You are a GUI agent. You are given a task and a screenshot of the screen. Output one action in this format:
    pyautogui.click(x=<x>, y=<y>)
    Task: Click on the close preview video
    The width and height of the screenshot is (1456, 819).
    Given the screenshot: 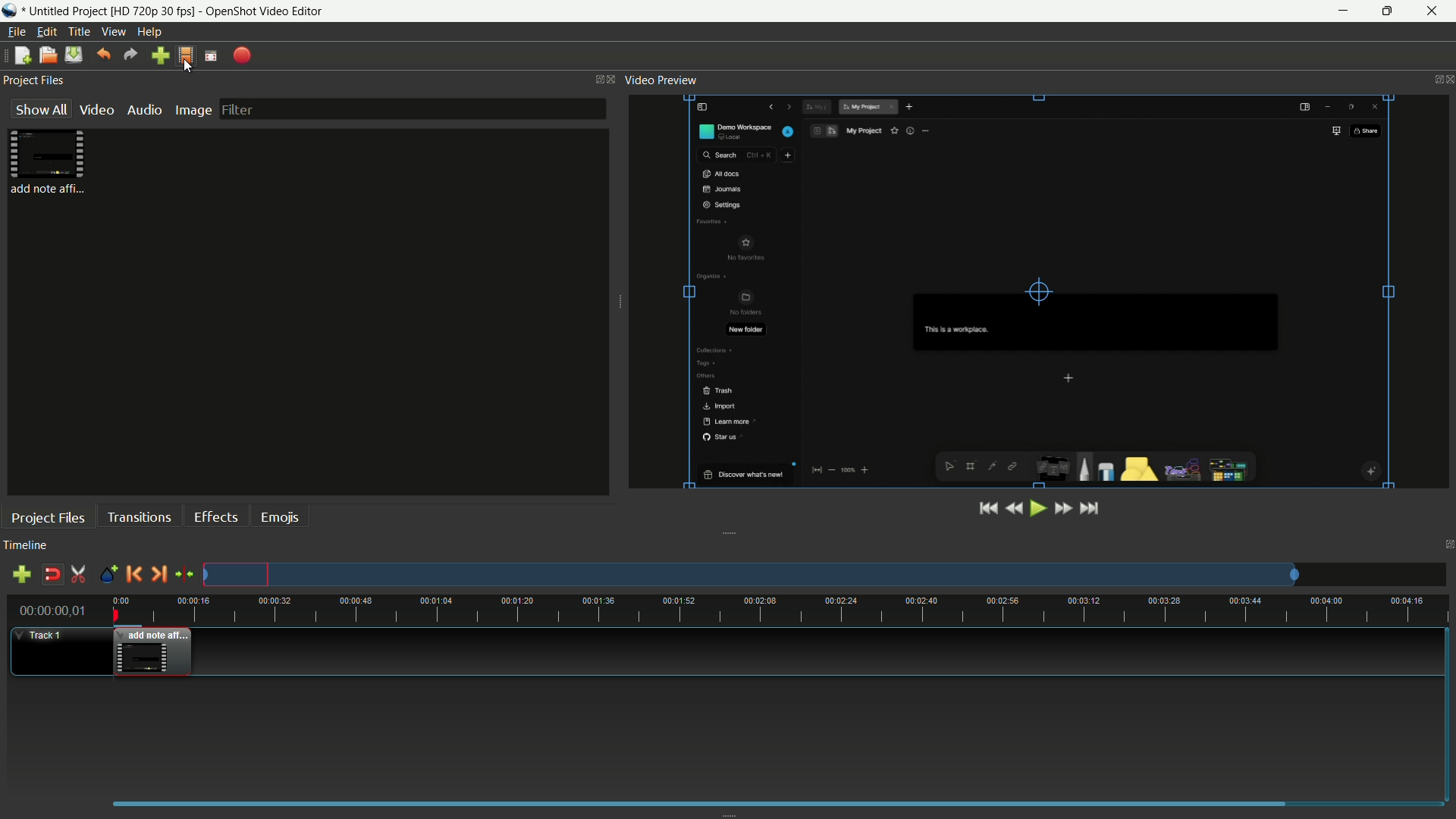 What is the action you would take?
    pyautogui.click(x=1447, y=80)
    